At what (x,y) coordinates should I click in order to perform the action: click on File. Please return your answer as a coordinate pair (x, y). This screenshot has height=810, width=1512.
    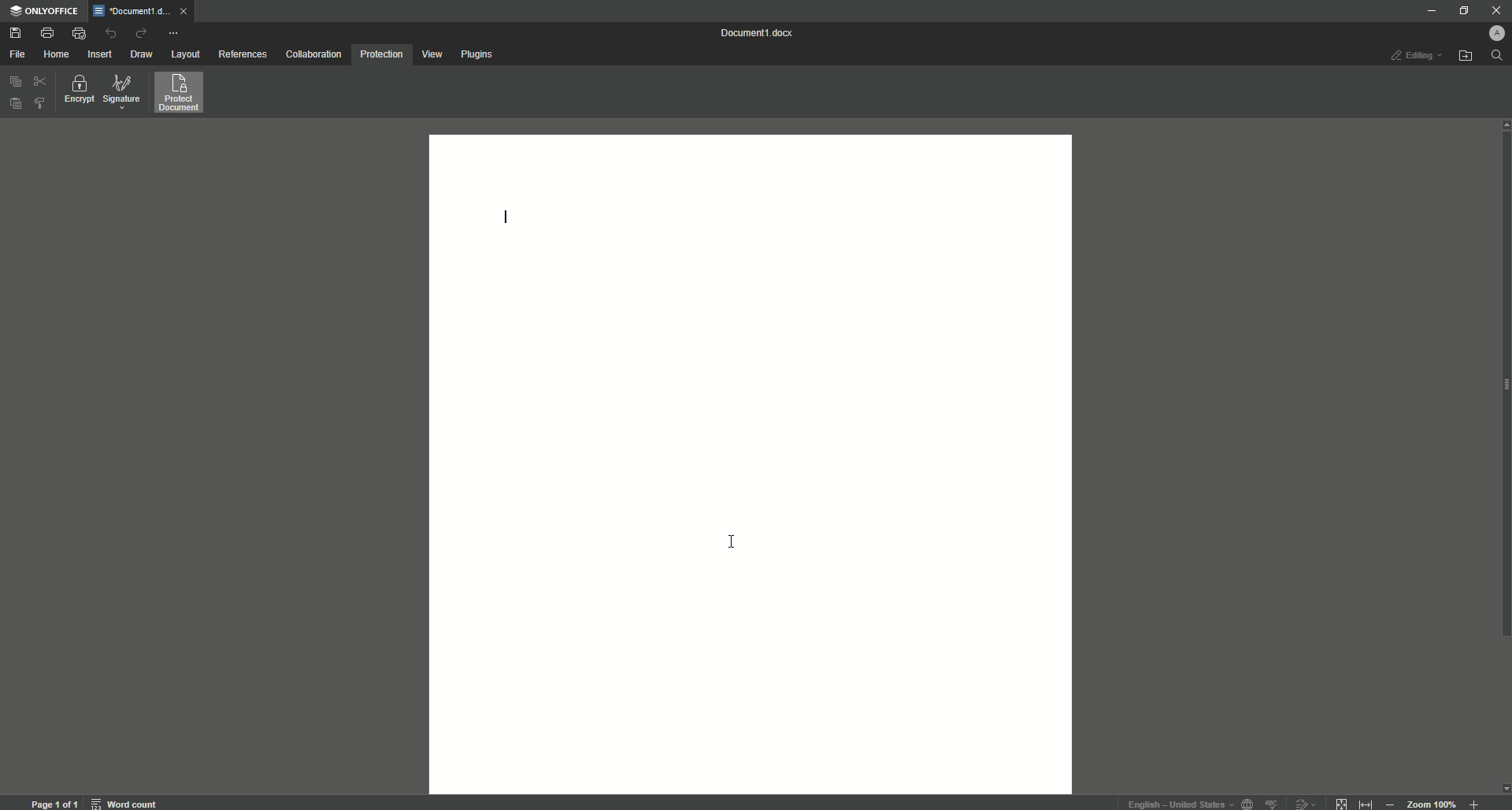
    Looking at the image, I should click on (17, 54).